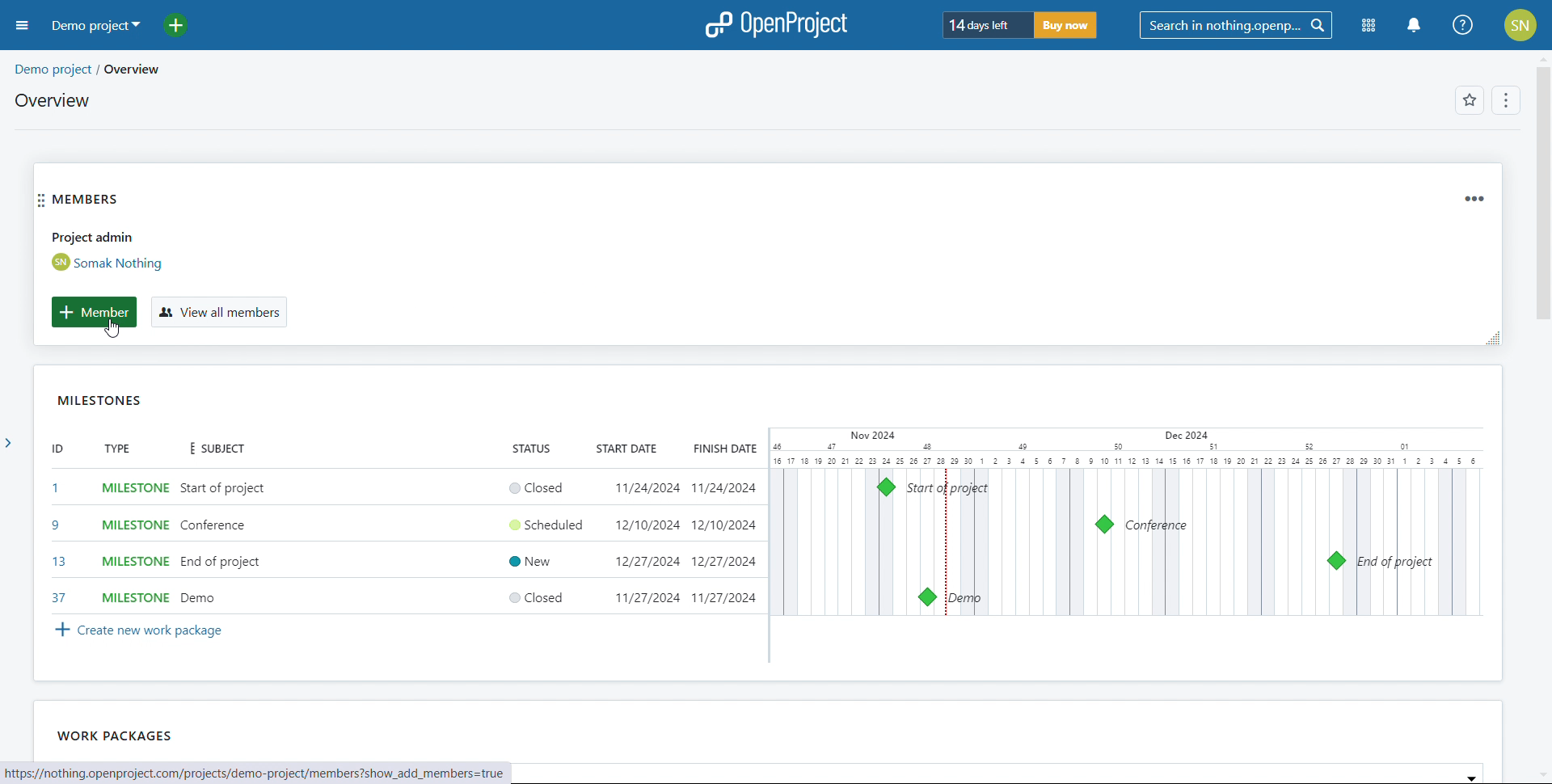  Describe the element at coordinates (53, 599) in the screenshot. I see `37` at that location.